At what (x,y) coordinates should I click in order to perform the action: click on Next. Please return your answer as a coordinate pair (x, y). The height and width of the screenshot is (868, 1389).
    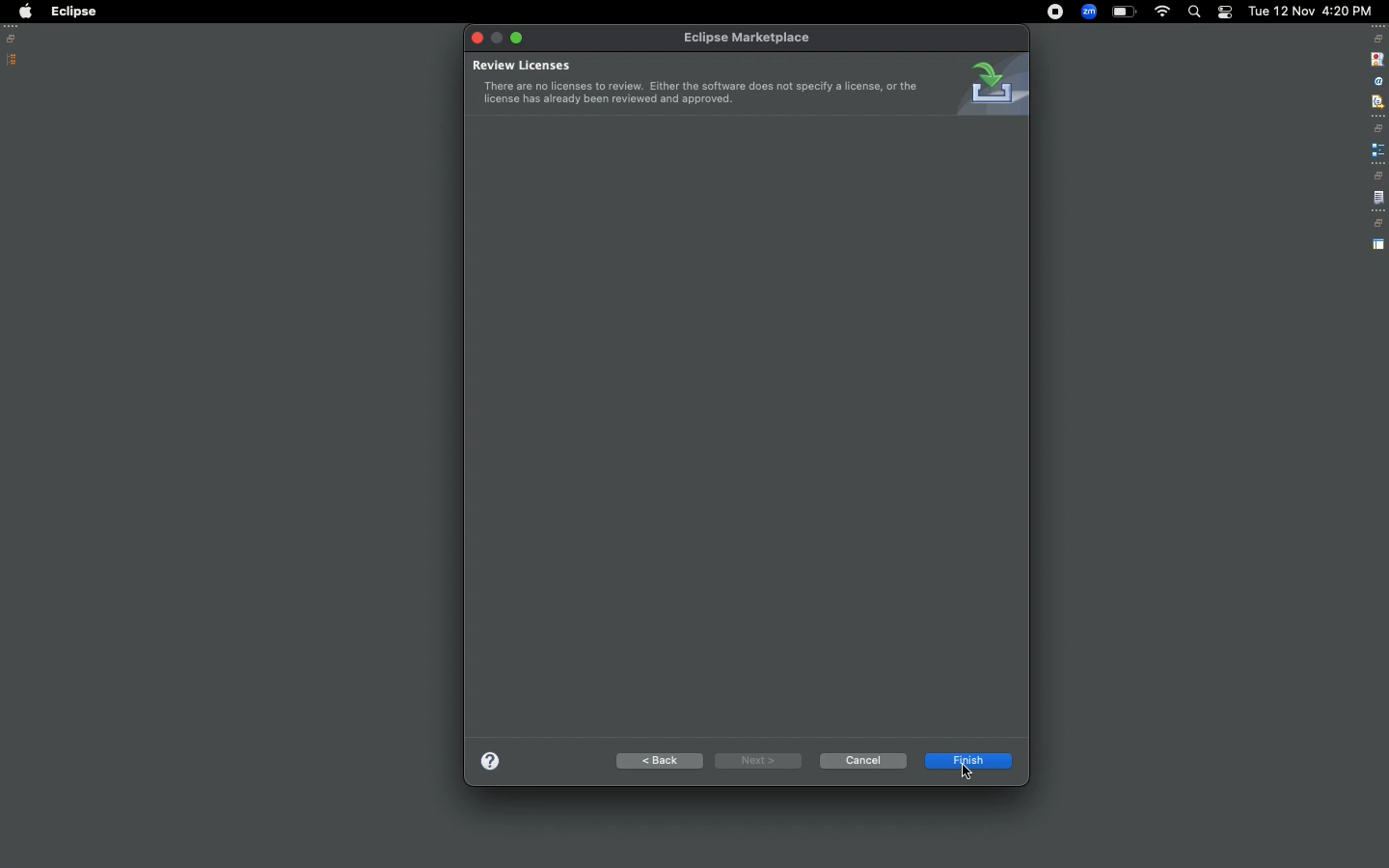
    Looking at the image, I should click on (755, 760).